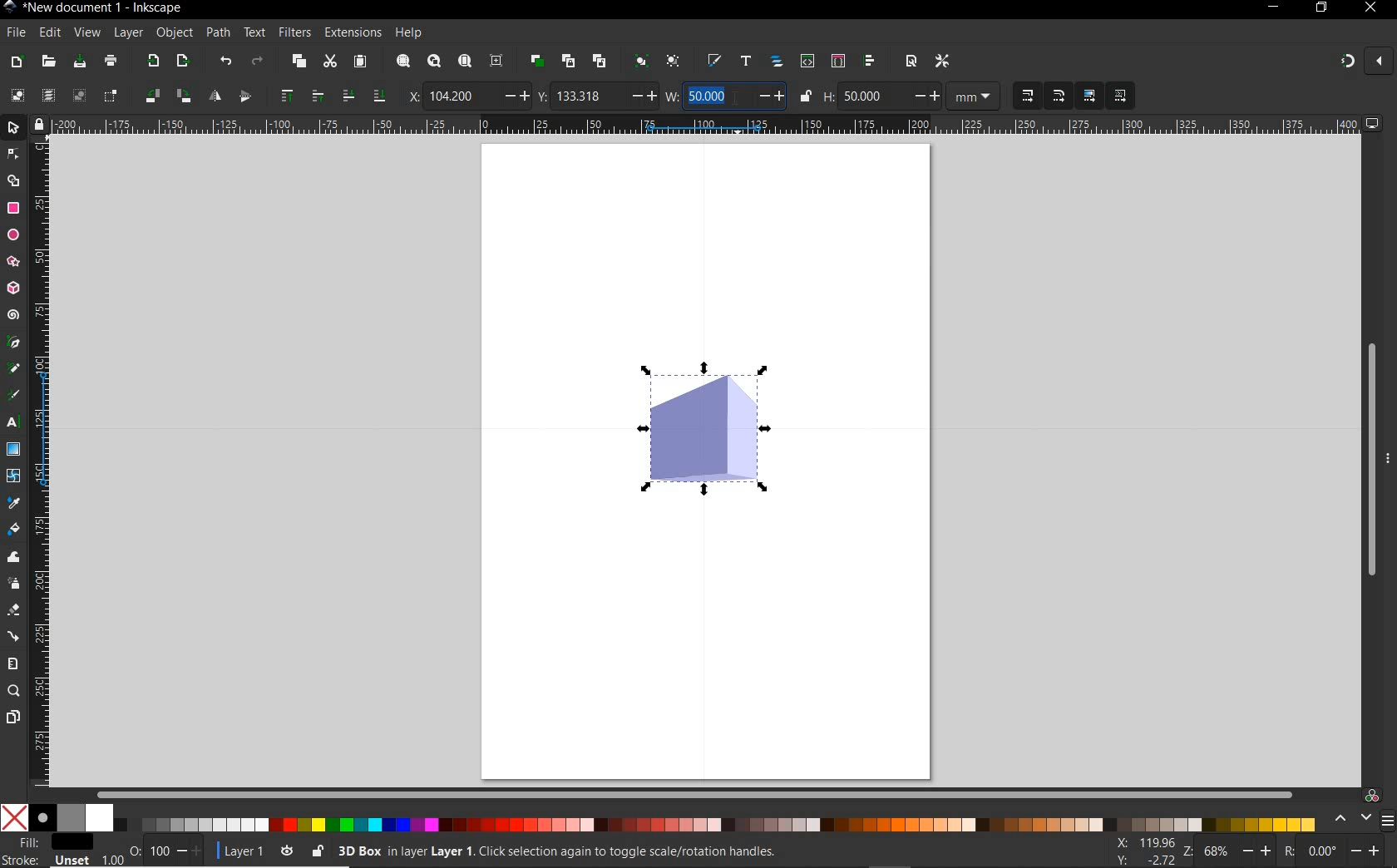 This screenshot has width=1397, height=868. I want to click on extensions, so click(351, 33).